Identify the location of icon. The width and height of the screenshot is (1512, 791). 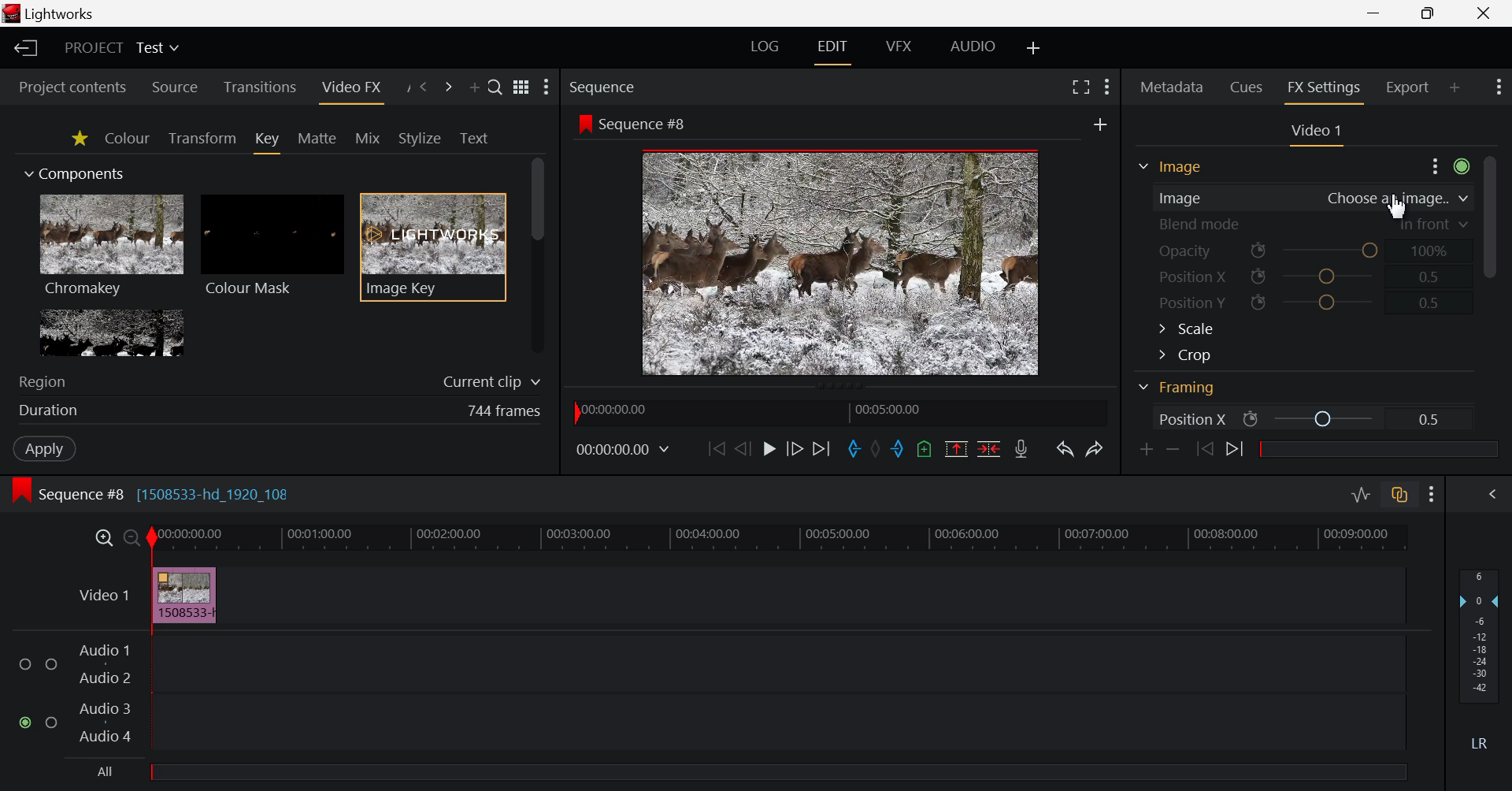
(1260, 303).